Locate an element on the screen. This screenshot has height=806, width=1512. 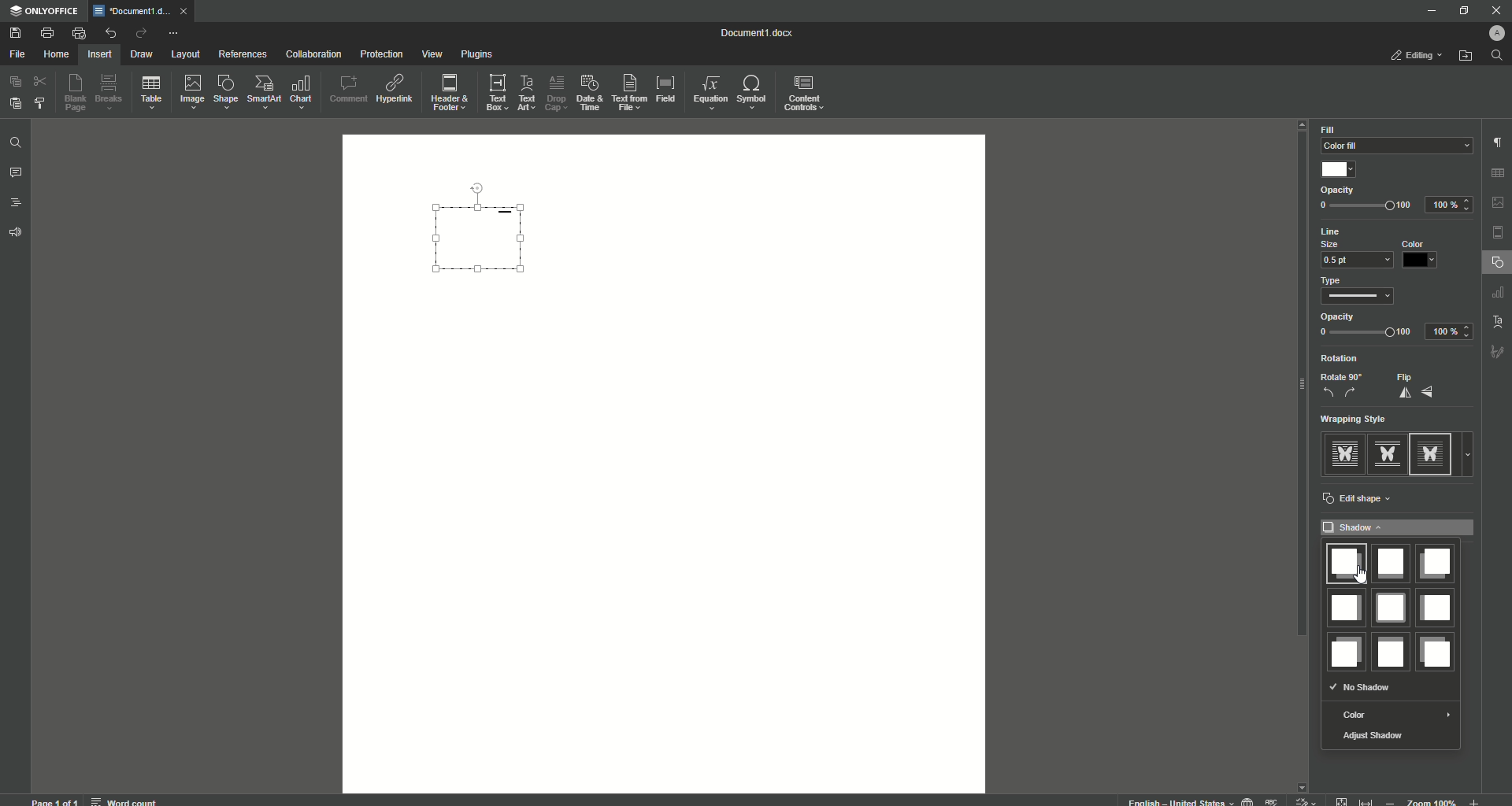
Text Art is located at coordinates (524, 94).